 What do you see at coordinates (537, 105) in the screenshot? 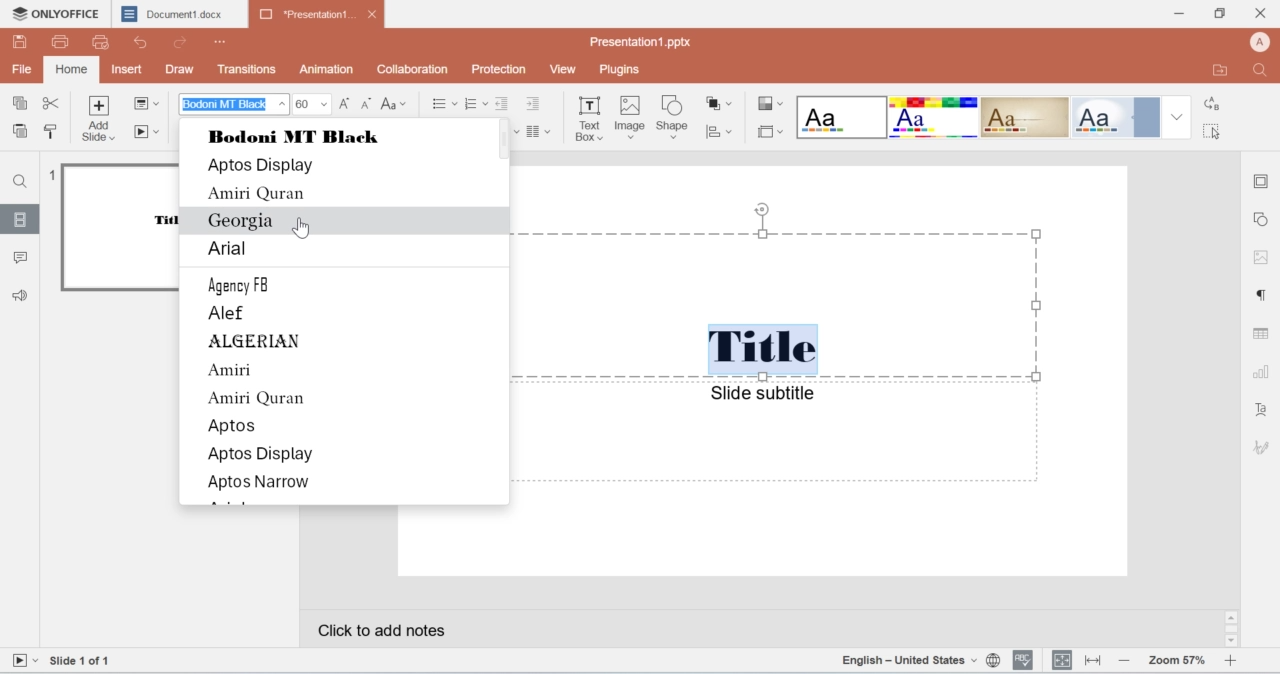
I see `indent` at bounding box center [537, 105].